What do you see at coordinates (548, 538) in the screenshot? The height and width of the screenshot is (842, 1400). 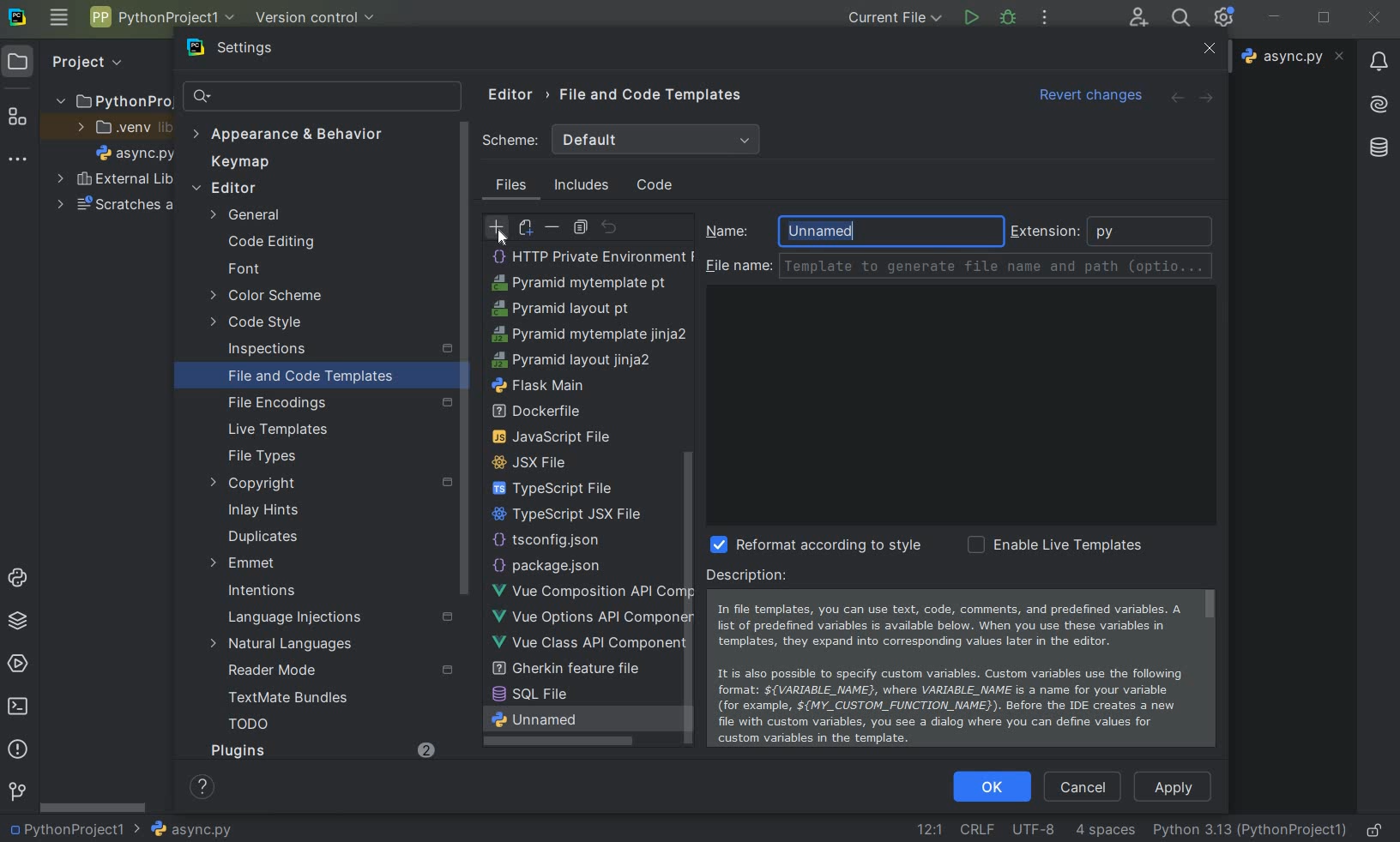 I see `HTTP Request` at bounding box center [548, 538].